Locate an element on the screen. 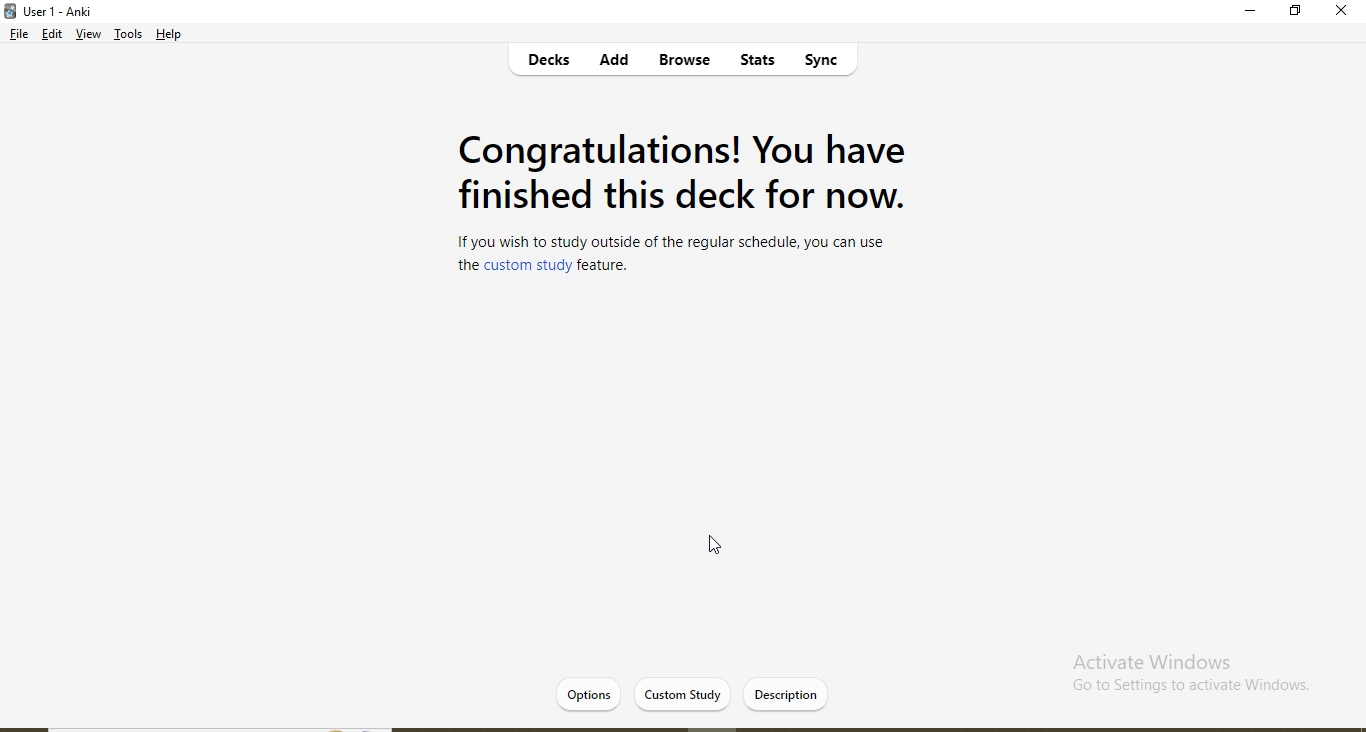 This screenshot has height=732, width=1366. view is located at coordinates (88, 36).